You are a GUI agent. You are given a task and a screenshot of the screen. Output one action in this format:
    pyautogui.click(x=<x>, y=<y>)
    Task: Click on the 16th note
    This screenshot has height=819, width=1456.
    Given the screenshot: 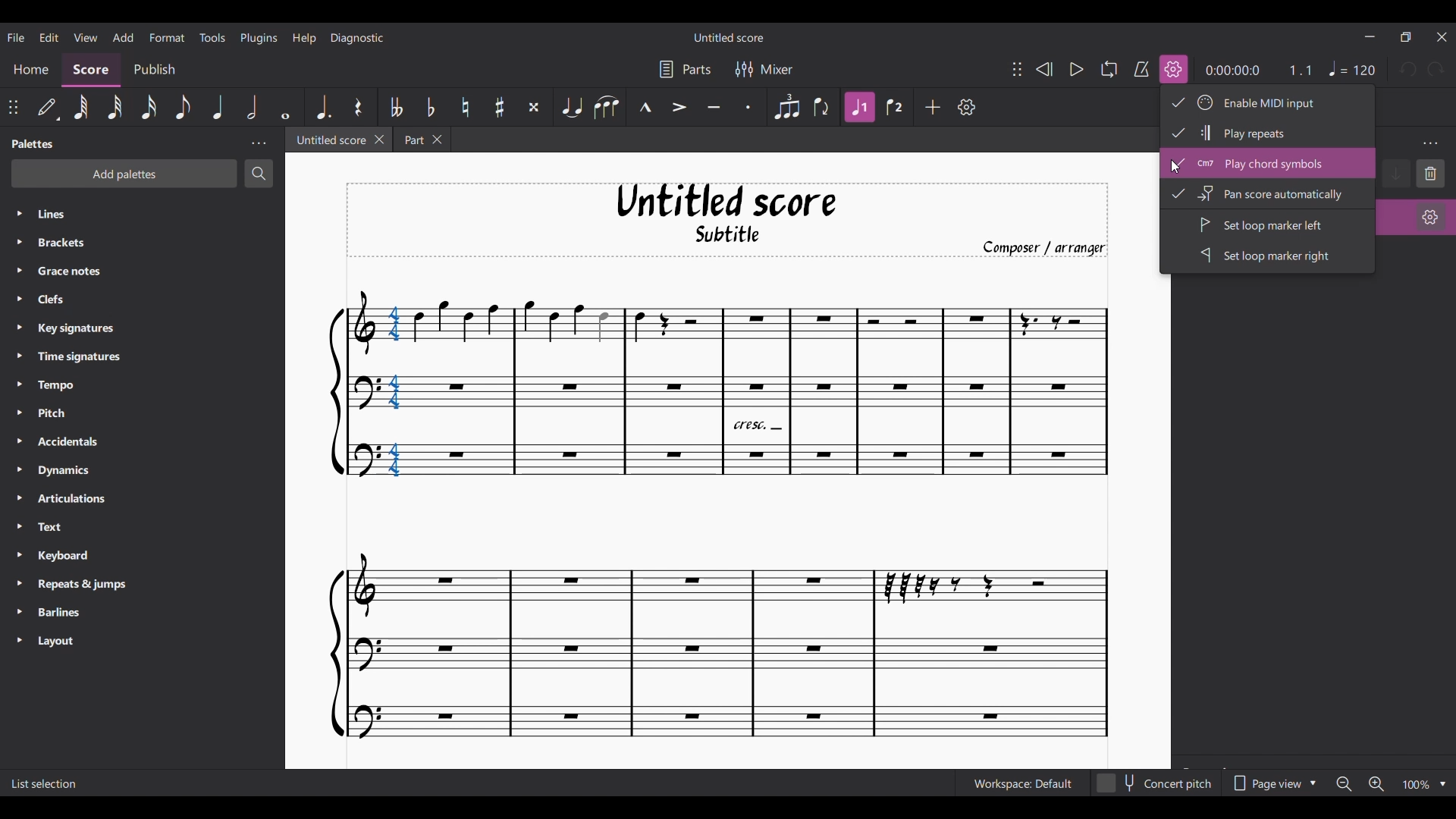 What is the action you would take?
    pyautogui.click(x=149, y=108)
    